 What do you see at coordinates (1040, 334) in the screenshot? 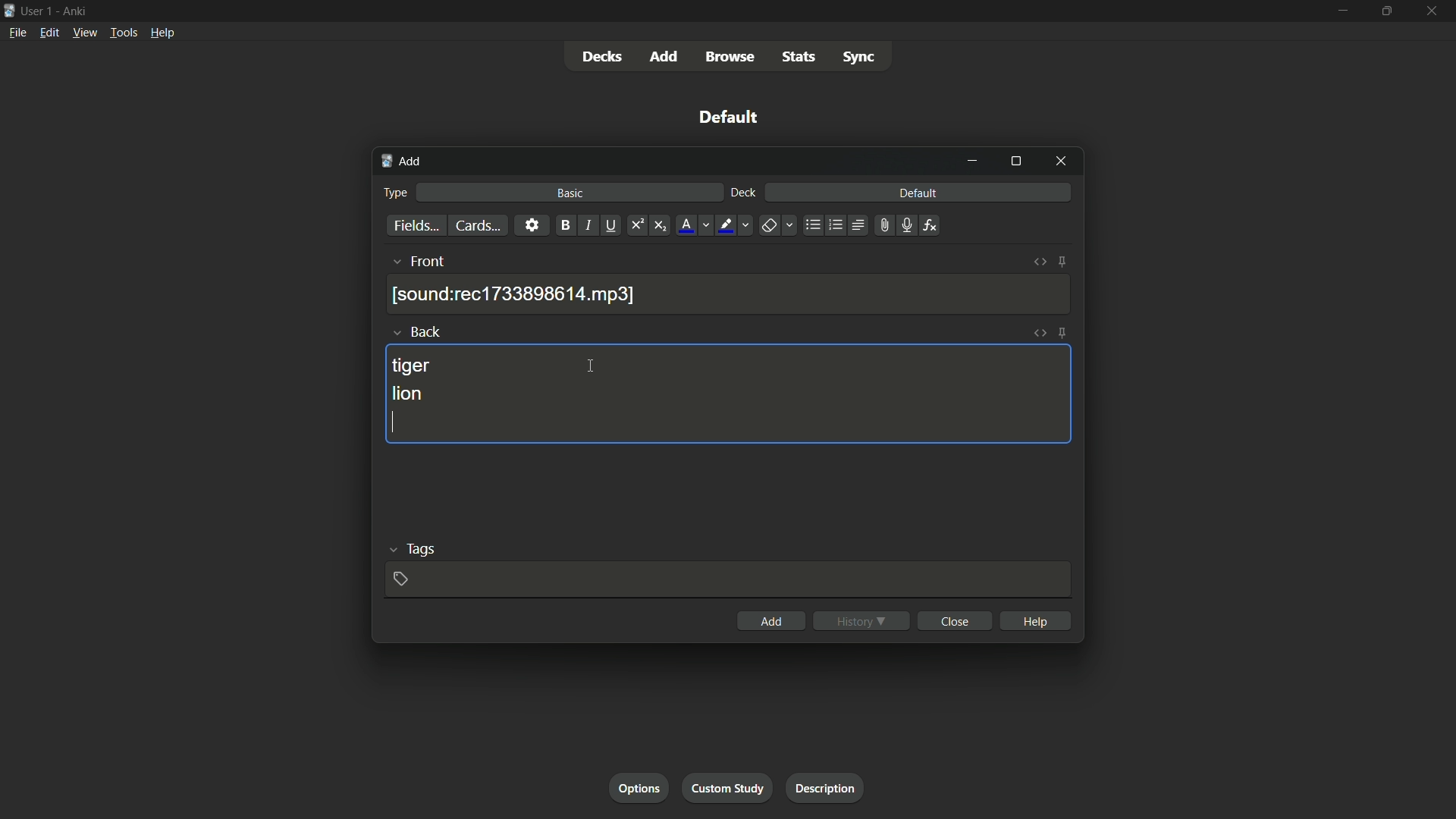
I see `toggle html editor` at bounding box center [1040, 334].